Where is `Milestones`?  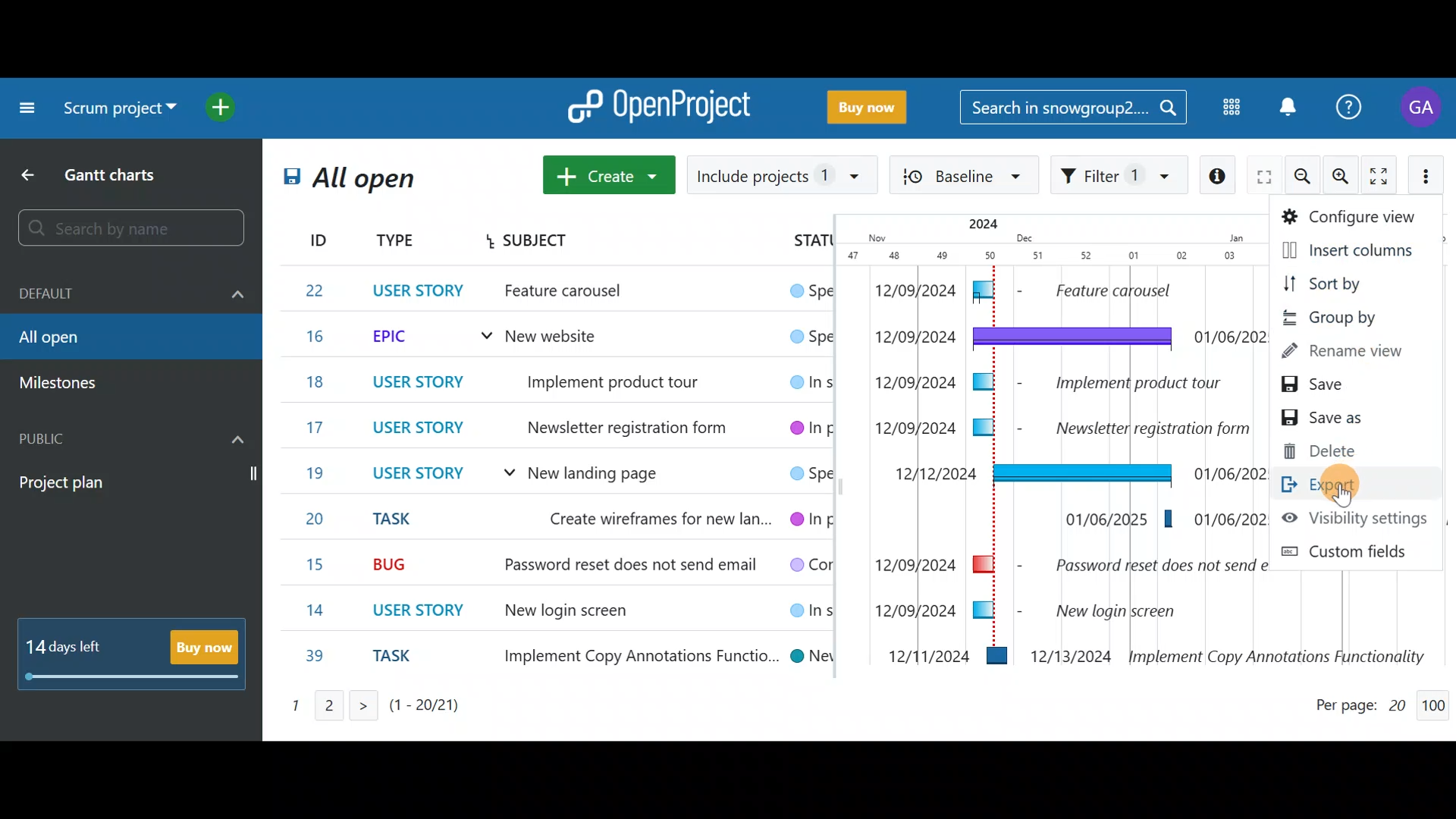 Milestones is located at coordinates (71, 384).